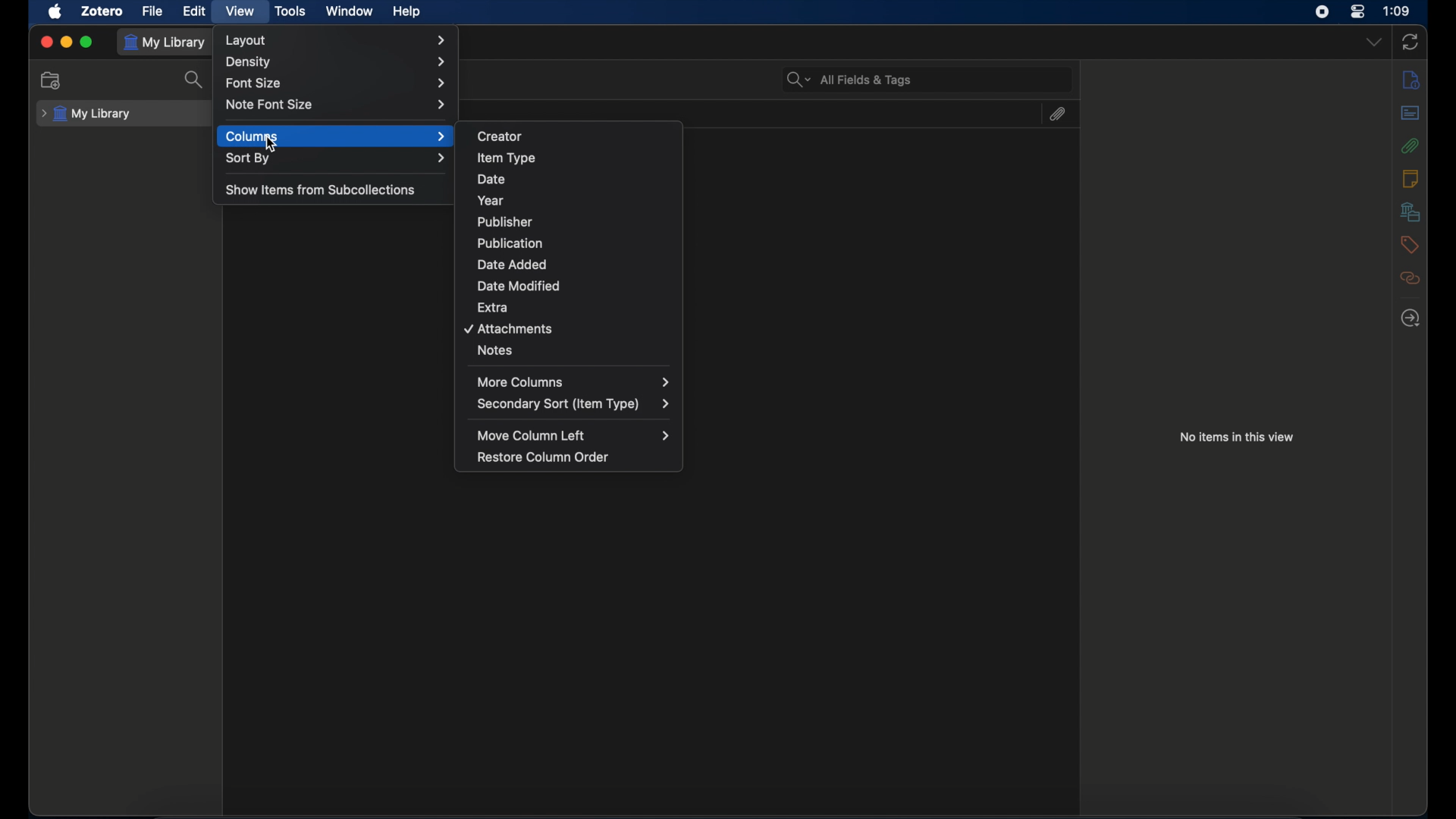 The width and height of the screenshot is (1456, 819). Describe the element at coordinates (194, 80) in the screenshot. I see `search` at that location.